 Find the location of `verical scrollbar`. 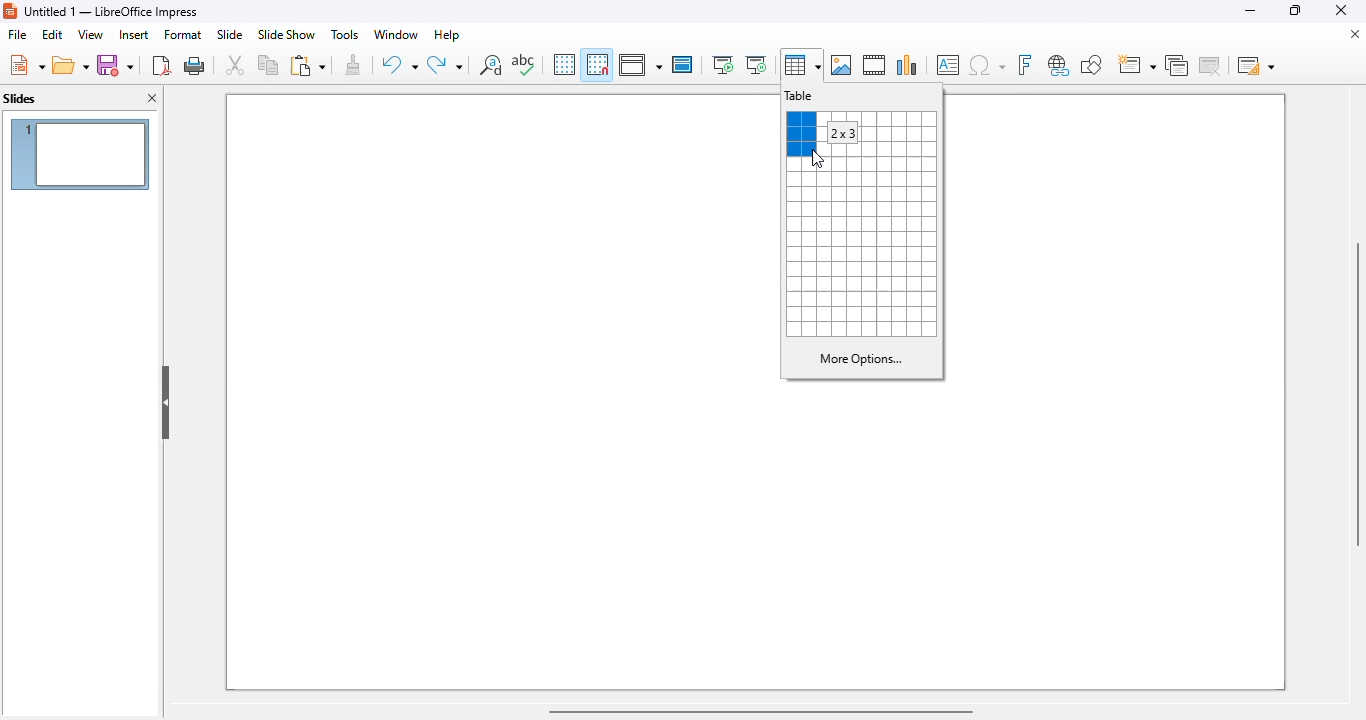

verical scrollbar is located at coordinates (1357, 395).